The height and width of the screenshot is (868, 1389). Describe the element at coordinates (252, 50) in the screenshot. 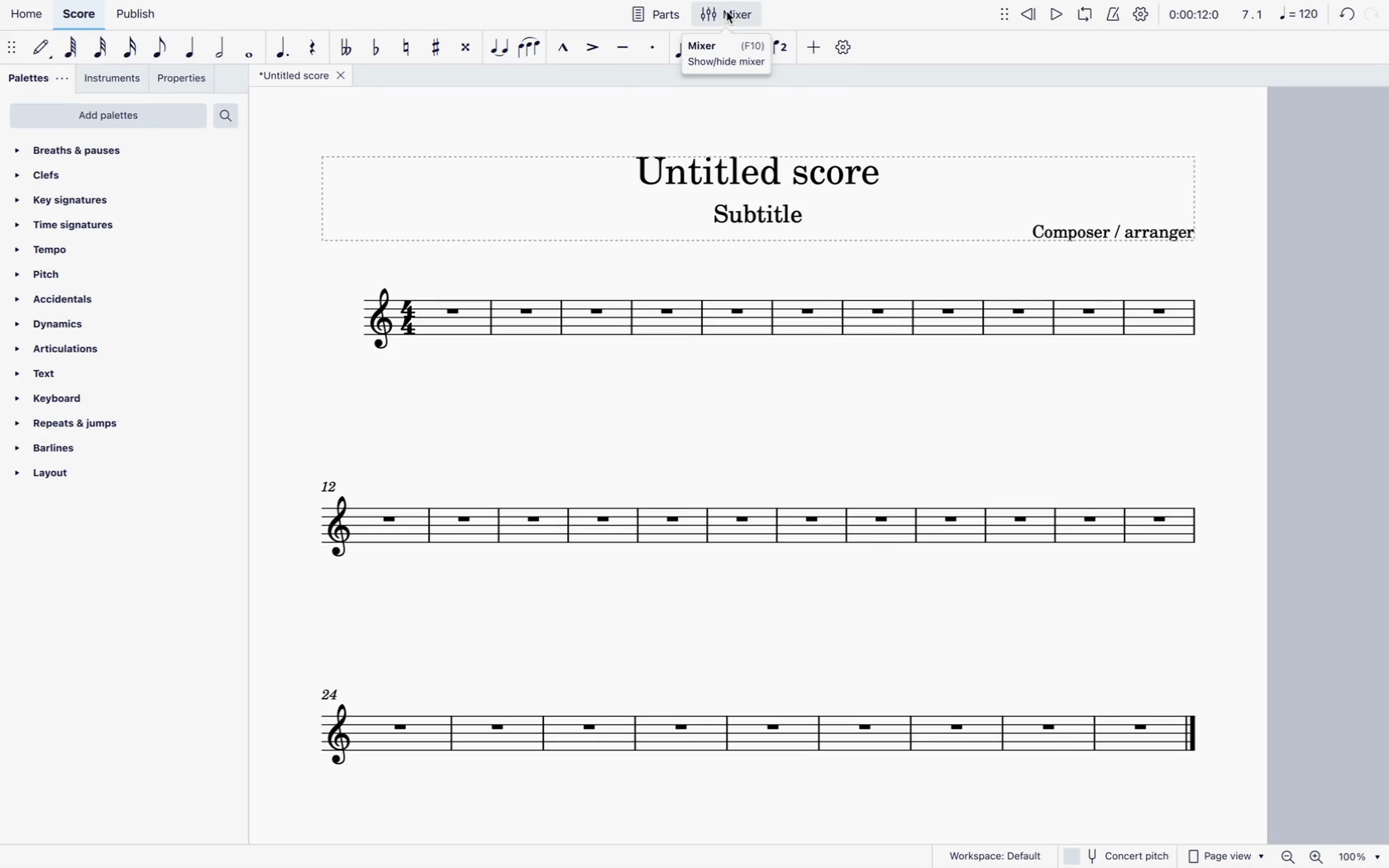

I see `full note` at that location.